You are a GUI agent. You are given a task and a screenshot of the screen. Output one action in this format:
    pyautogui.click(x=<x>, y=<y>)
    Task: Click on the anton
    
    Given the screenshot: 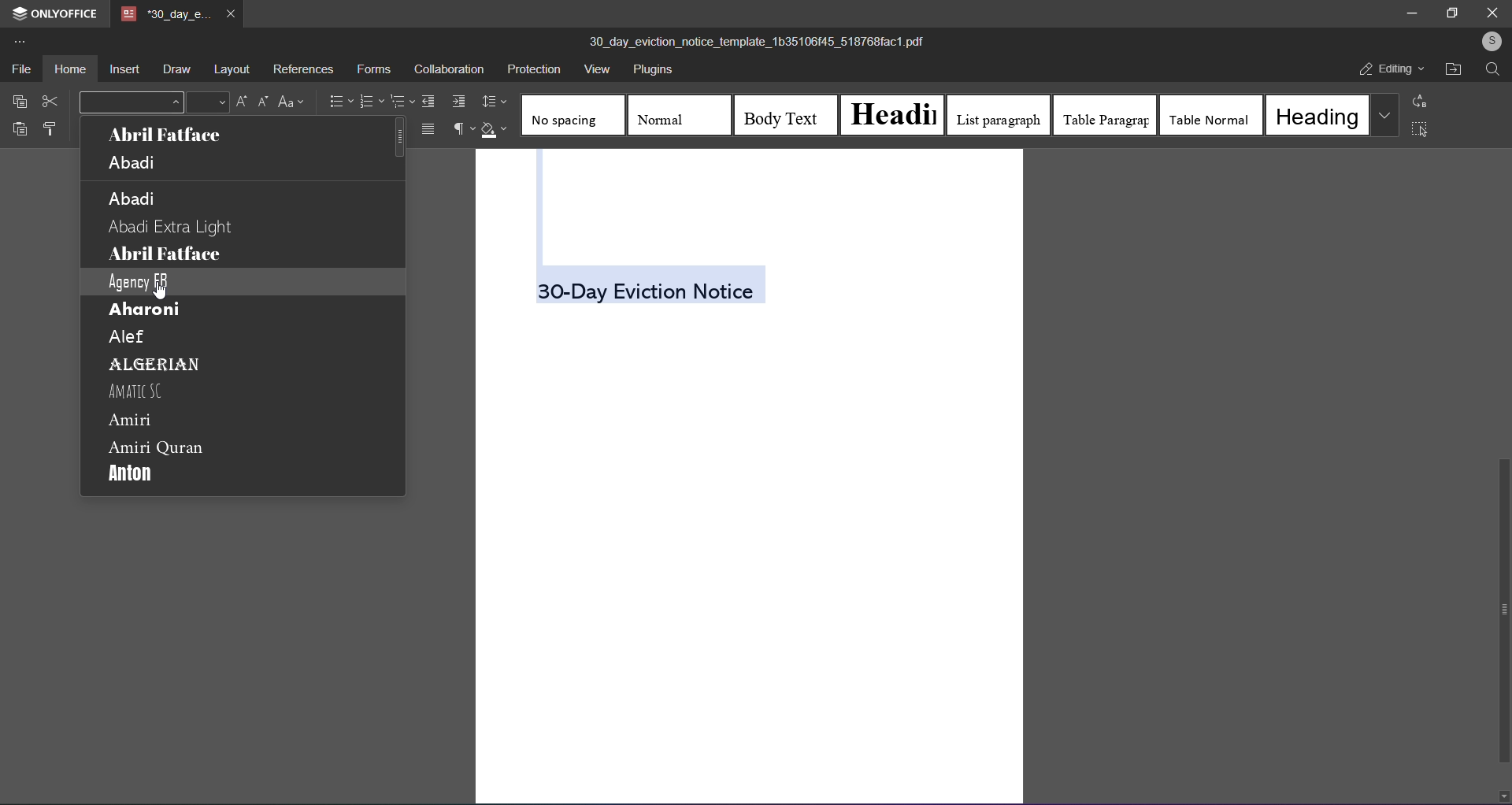 What is the action you would take?
    pyautogui.click(x=133, y=473)
    